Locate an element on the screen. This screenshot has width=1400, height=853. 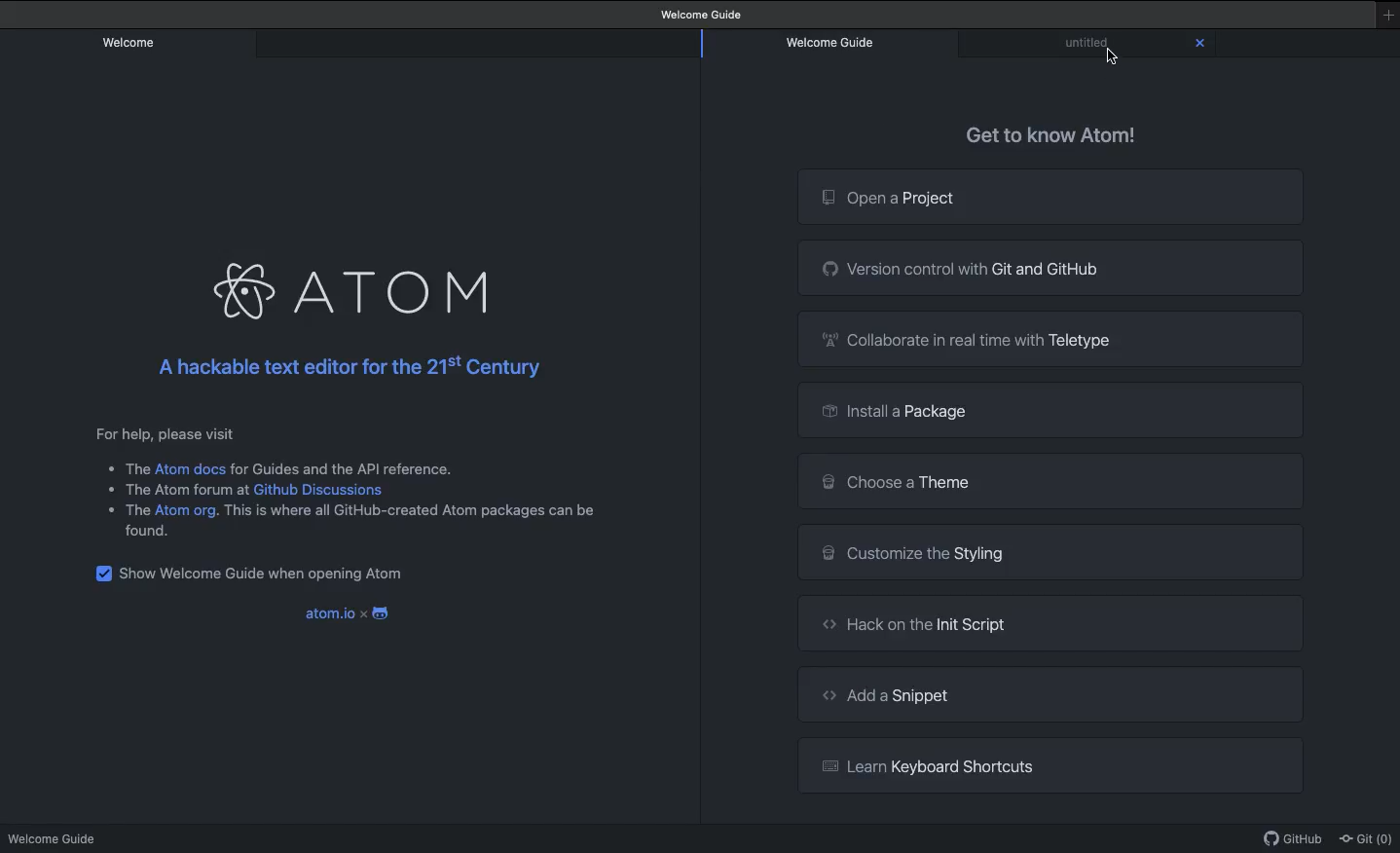
Learn keyboard shortcuts is located at coordinates (1056, 763).